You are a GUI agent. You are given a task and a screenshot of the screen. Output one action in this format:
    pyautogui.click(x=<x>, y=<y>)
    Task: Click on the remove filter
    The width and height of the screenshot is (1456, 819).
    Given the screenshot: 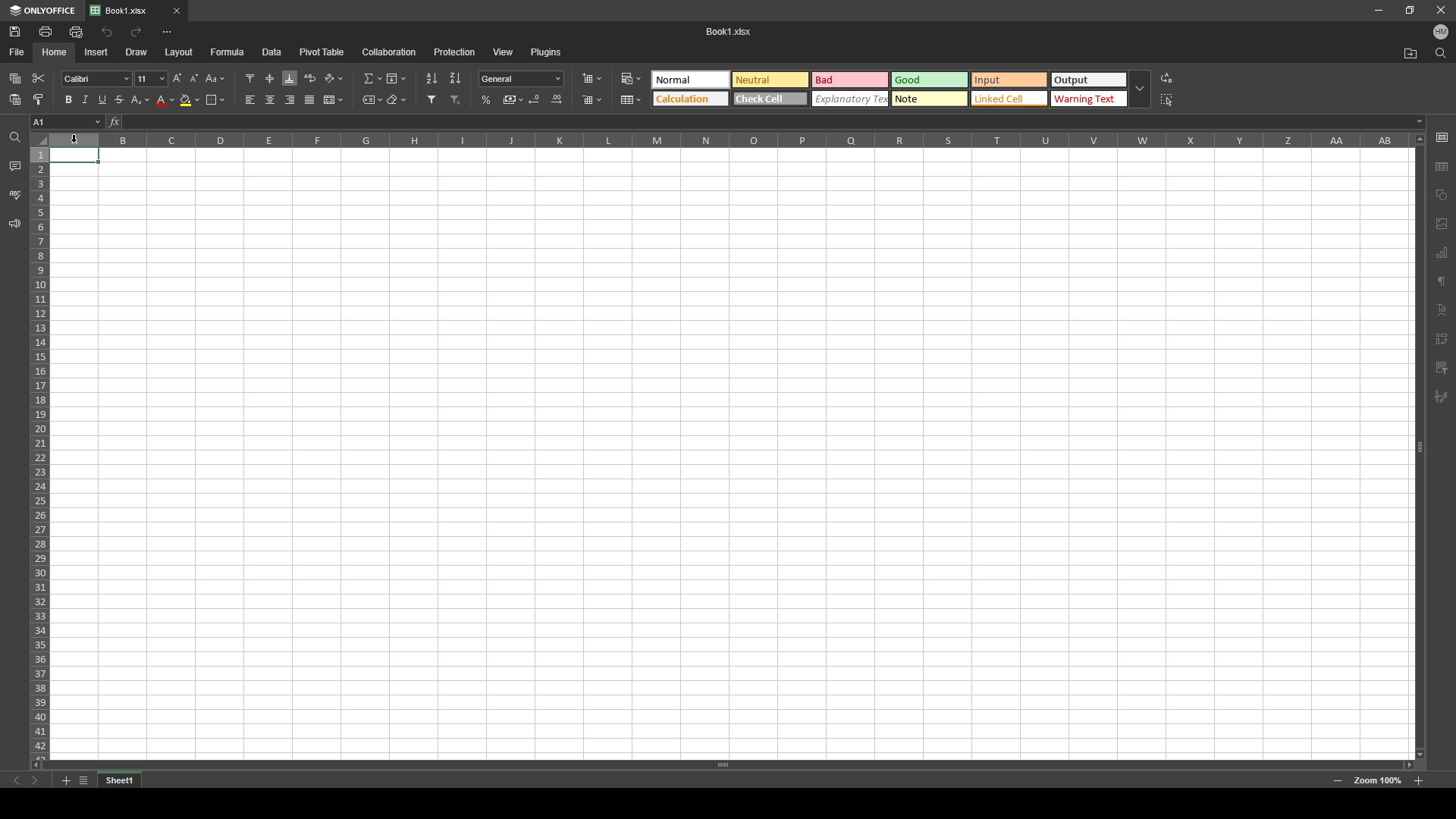 What is the action you would take?
    pyautogui.click(x=457, y=99)
    